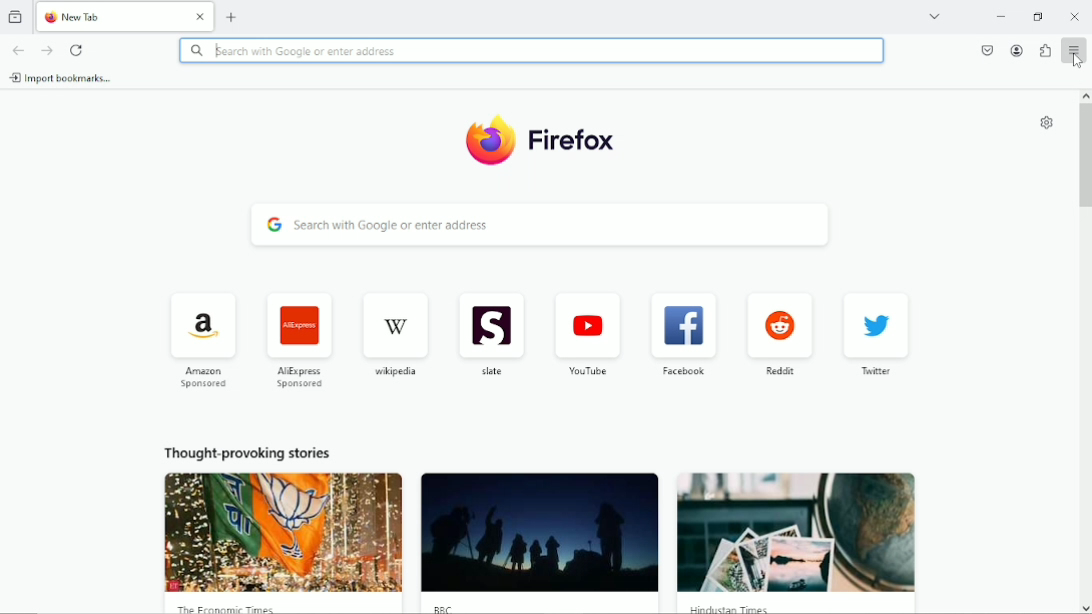  I want to click on The Economic Times, so click(225, 608).